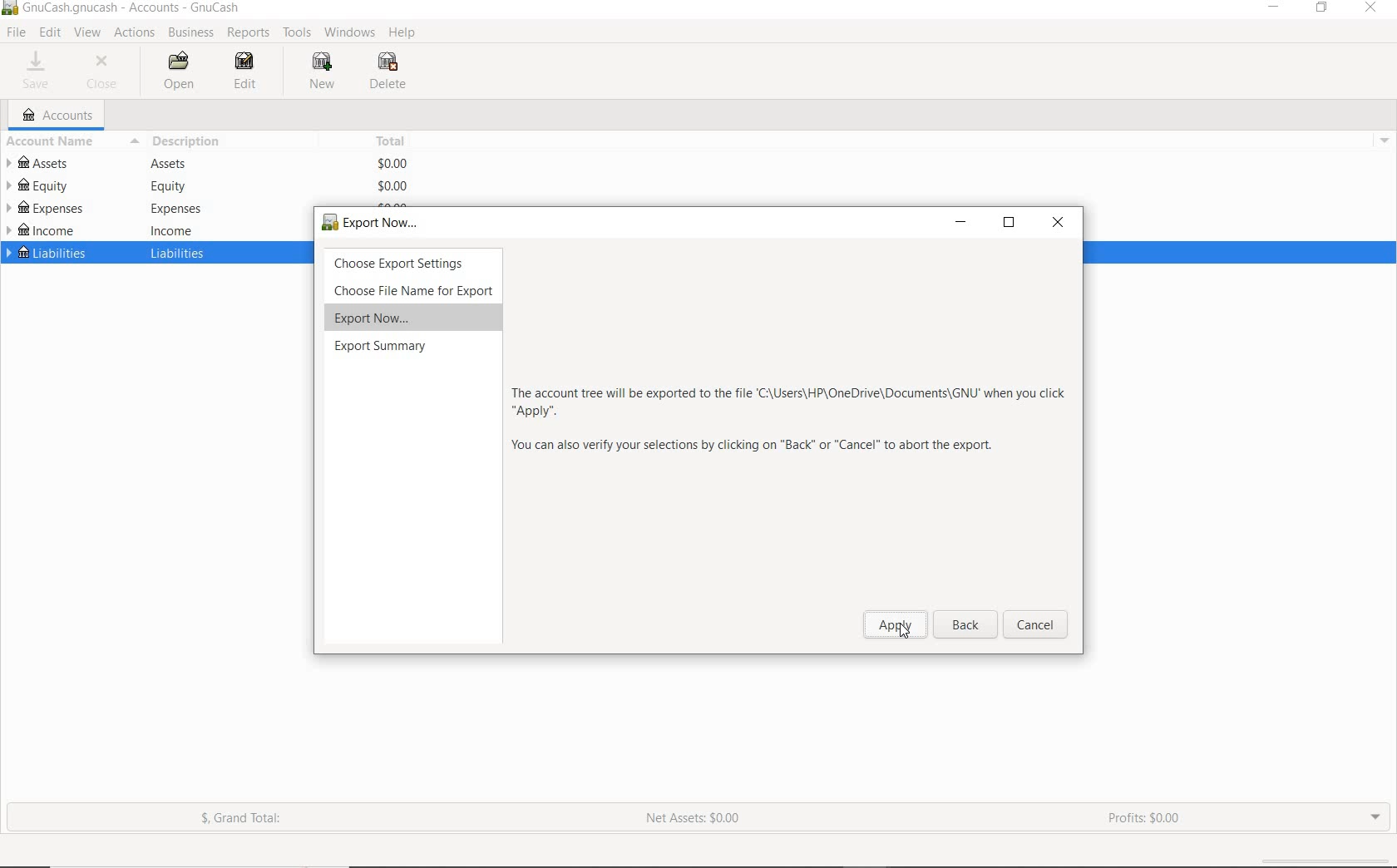 Image resolution: width=1397 pixels, height=868 pixels. I want to click on GRAND TOTAL, so click(240, 819).